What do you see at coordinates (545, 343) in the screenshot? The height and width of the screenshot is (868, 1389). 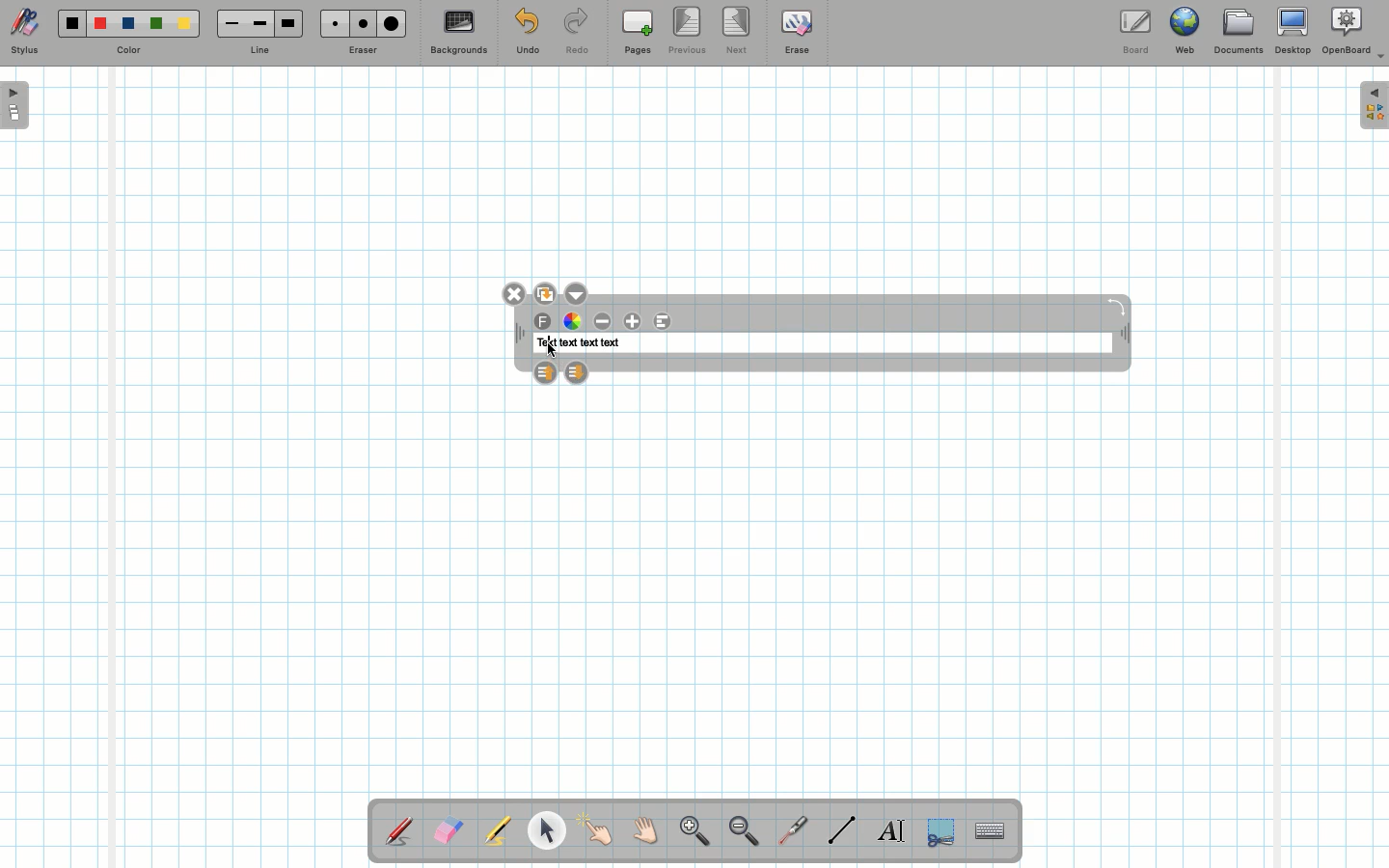 I see `text` at bounding box center [545, 343].